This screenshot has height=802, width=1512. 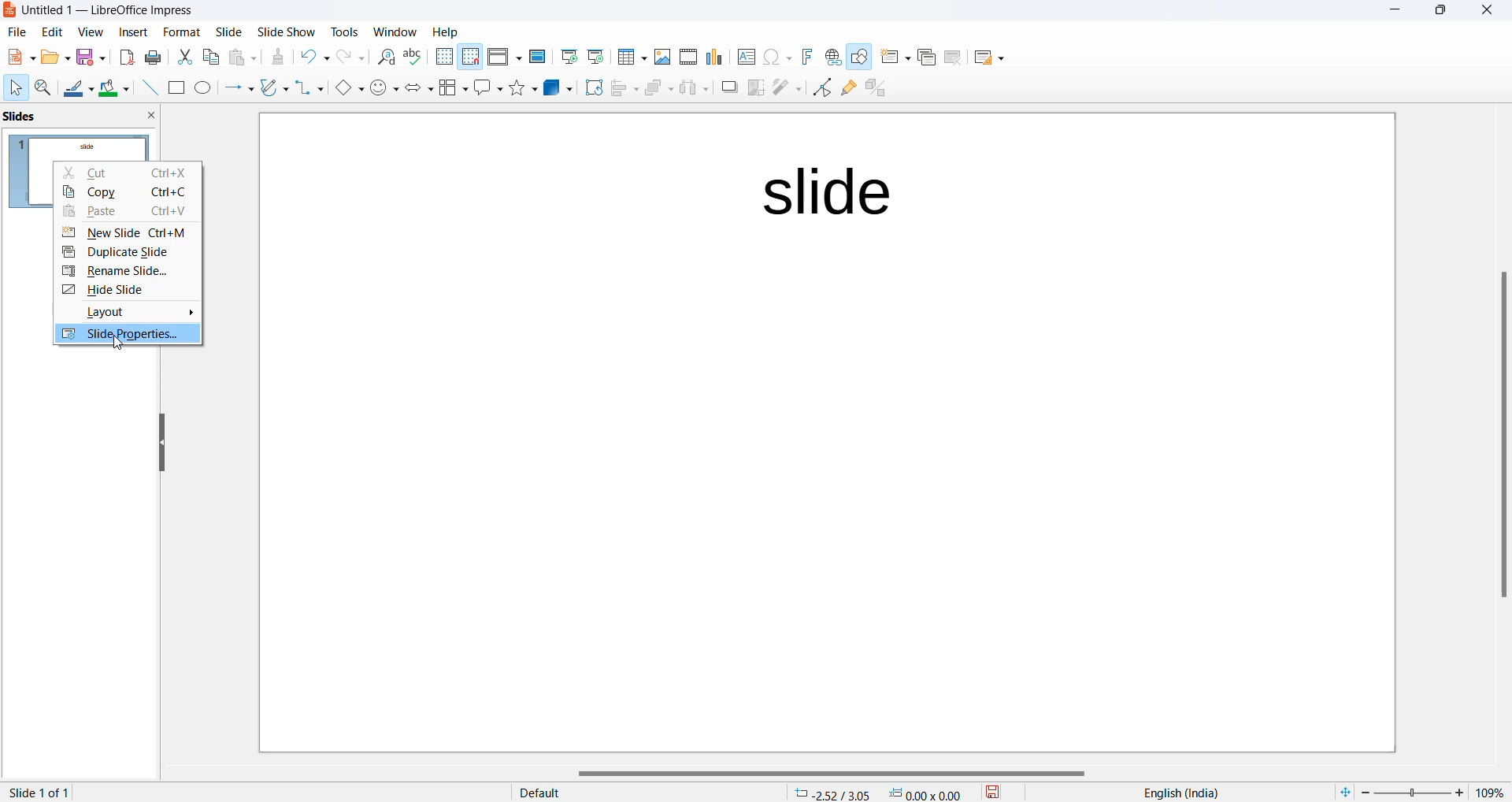 What do you see at coordinates (839, 774) in the screenshot?
I see `scrollbar` at bounding box center [839, 774].